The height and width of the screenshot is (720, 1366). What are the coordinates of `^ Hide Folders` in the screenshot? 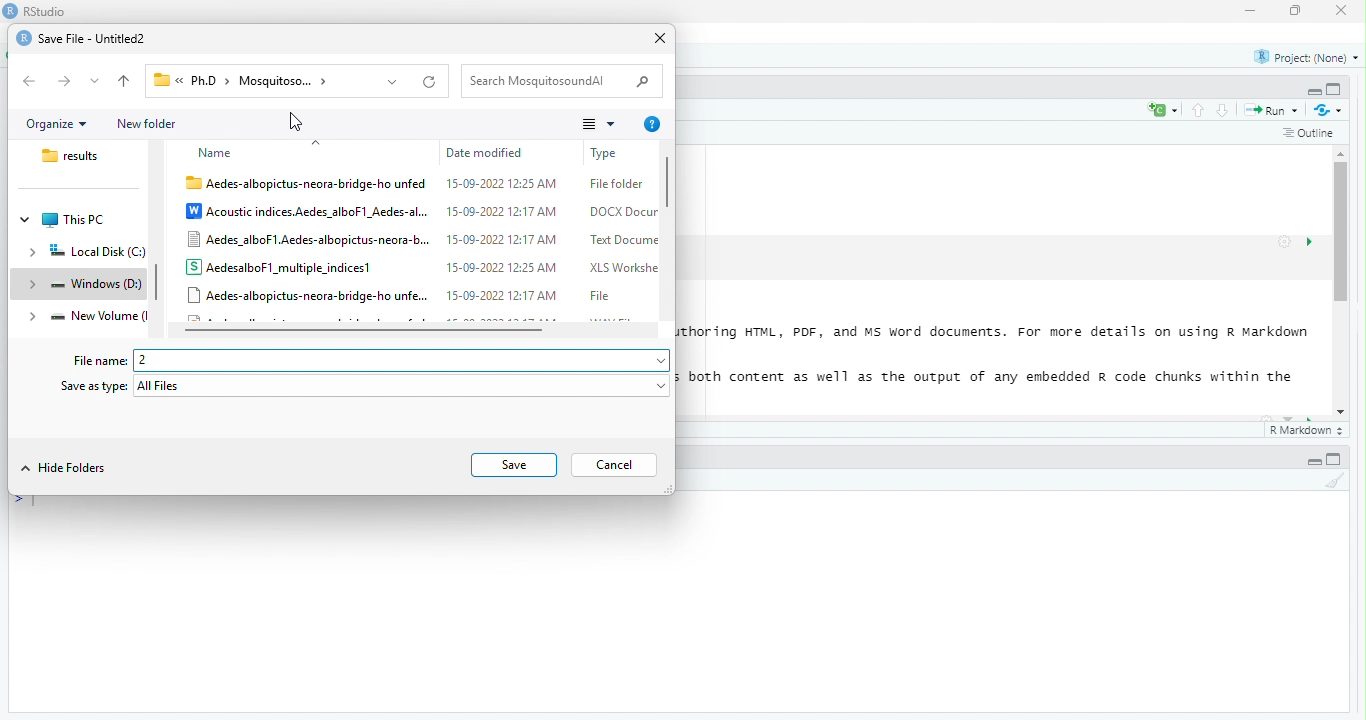 It's located at (65, 468).